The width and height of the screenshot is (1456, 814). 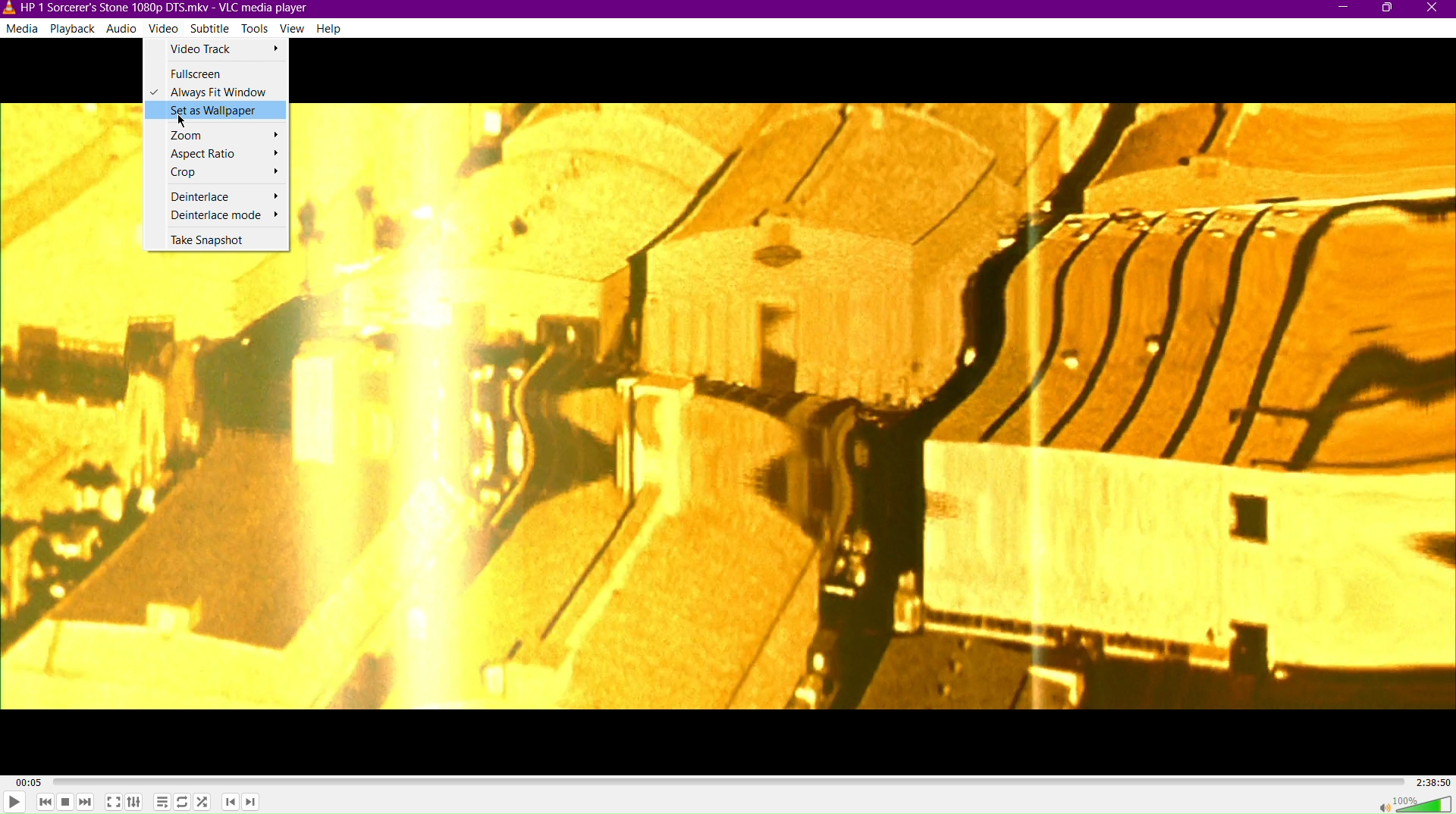 I want to click on Video Track, so click(x=221, y=52).